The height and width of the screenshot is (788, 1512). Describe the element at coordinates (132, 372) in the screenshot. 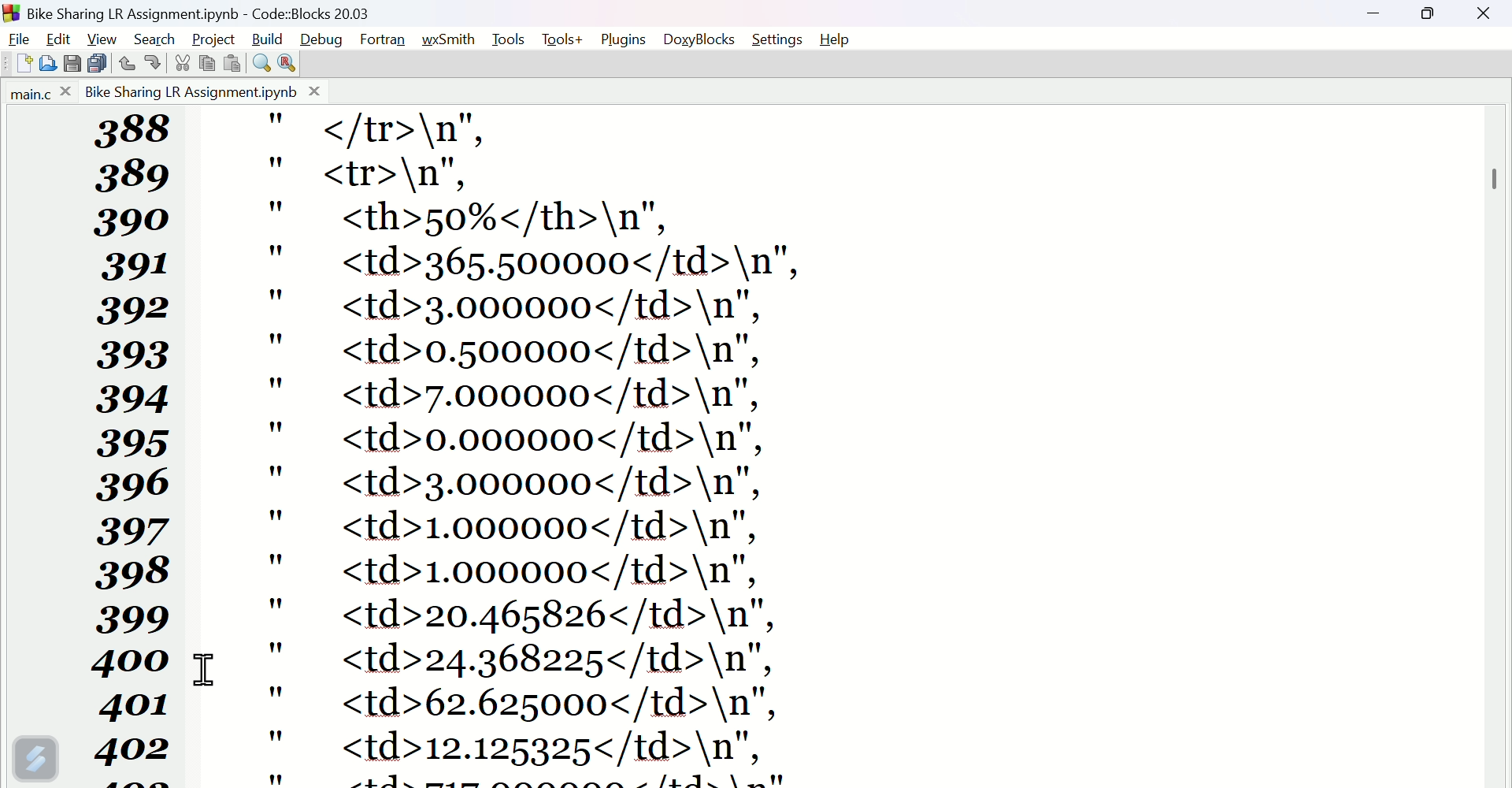

I see `line numbers` at that location.